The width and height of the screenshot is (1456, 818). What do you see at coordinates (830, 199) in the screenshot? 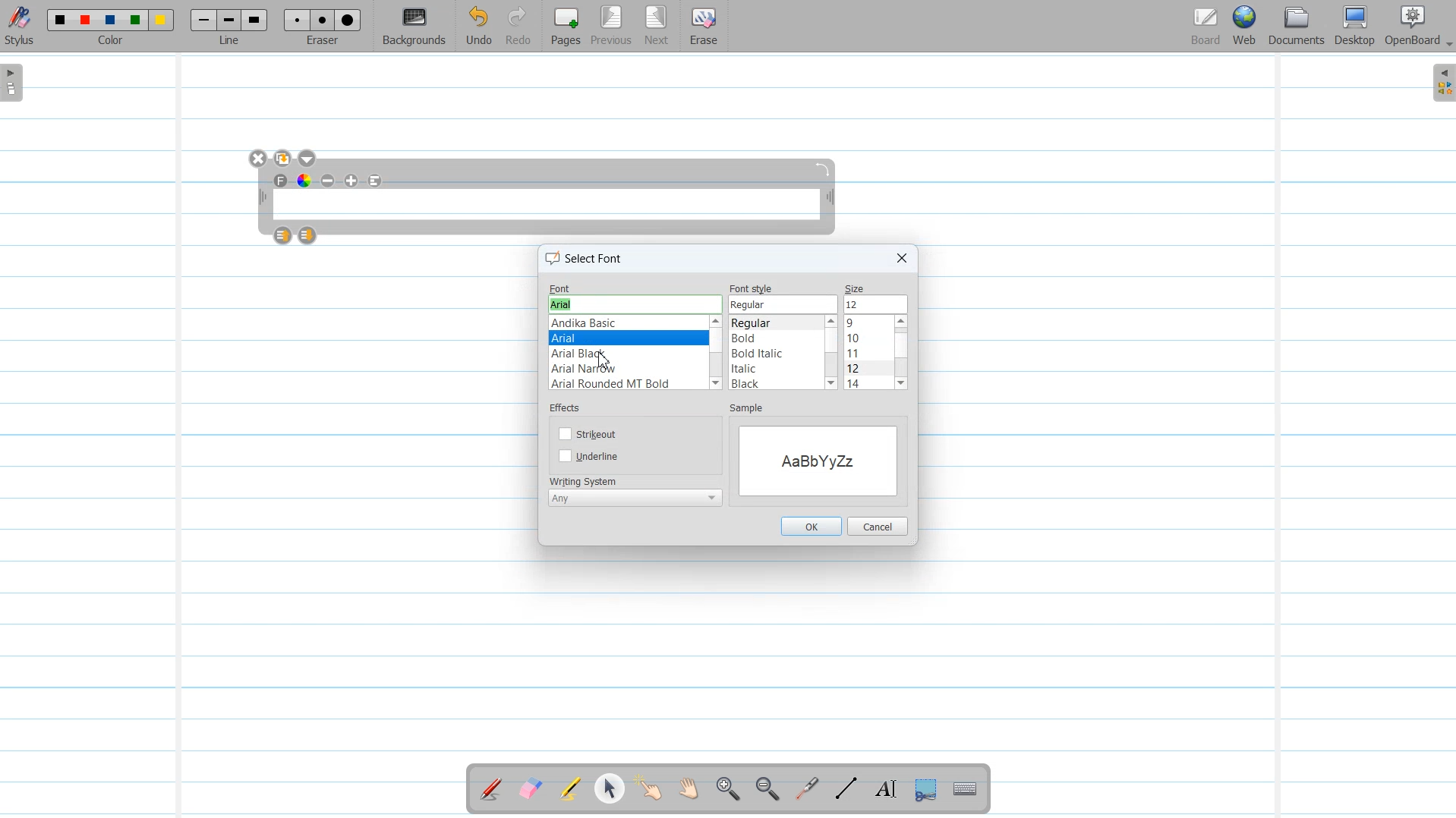
I see `Adjust width of text tool` at bounding box center [830, 199].